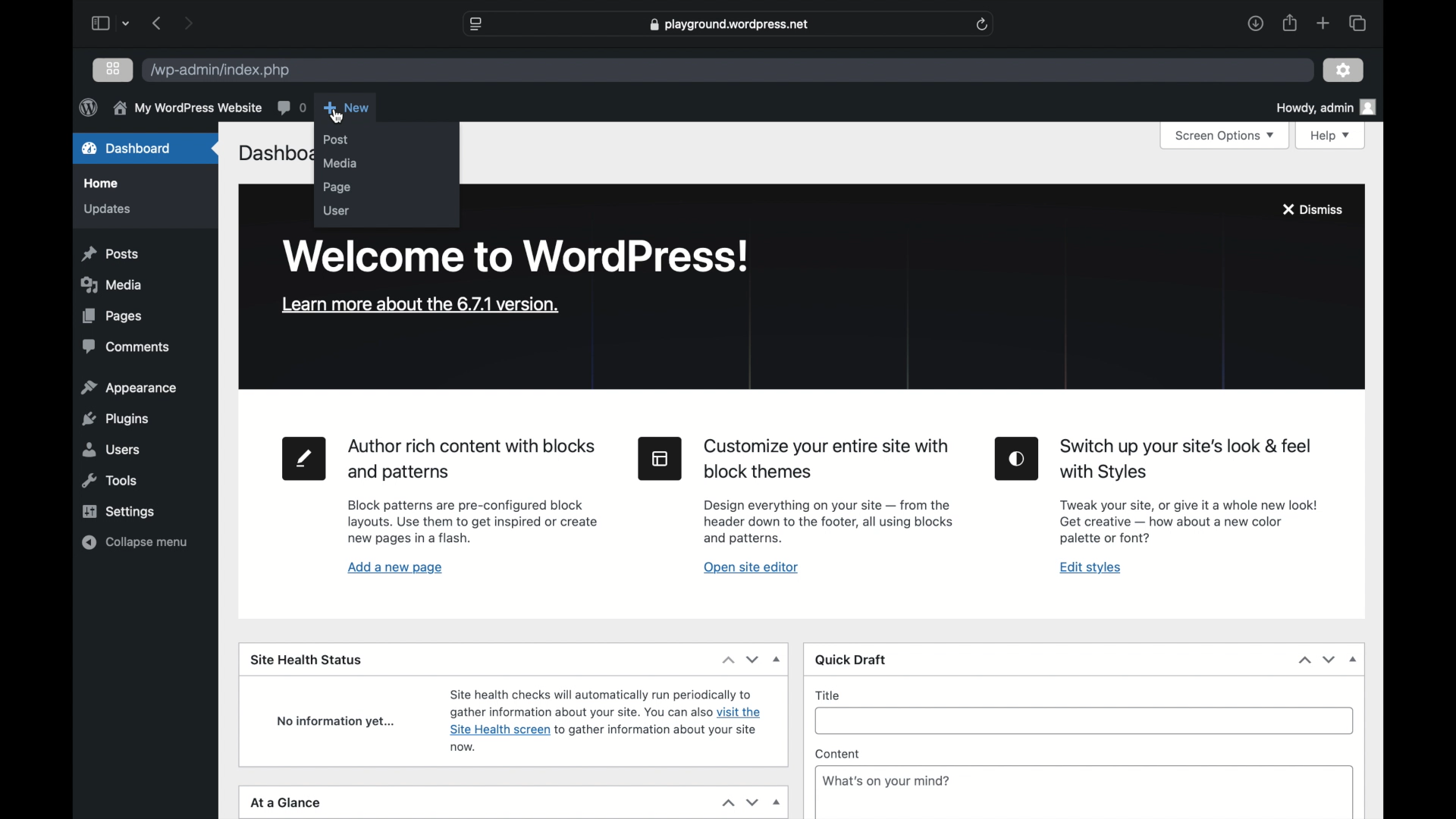 This screenshot has height=819, width=1456. Describe the element at coordinates (337, 721) in the screenshot. I see `no information yet` at that location.